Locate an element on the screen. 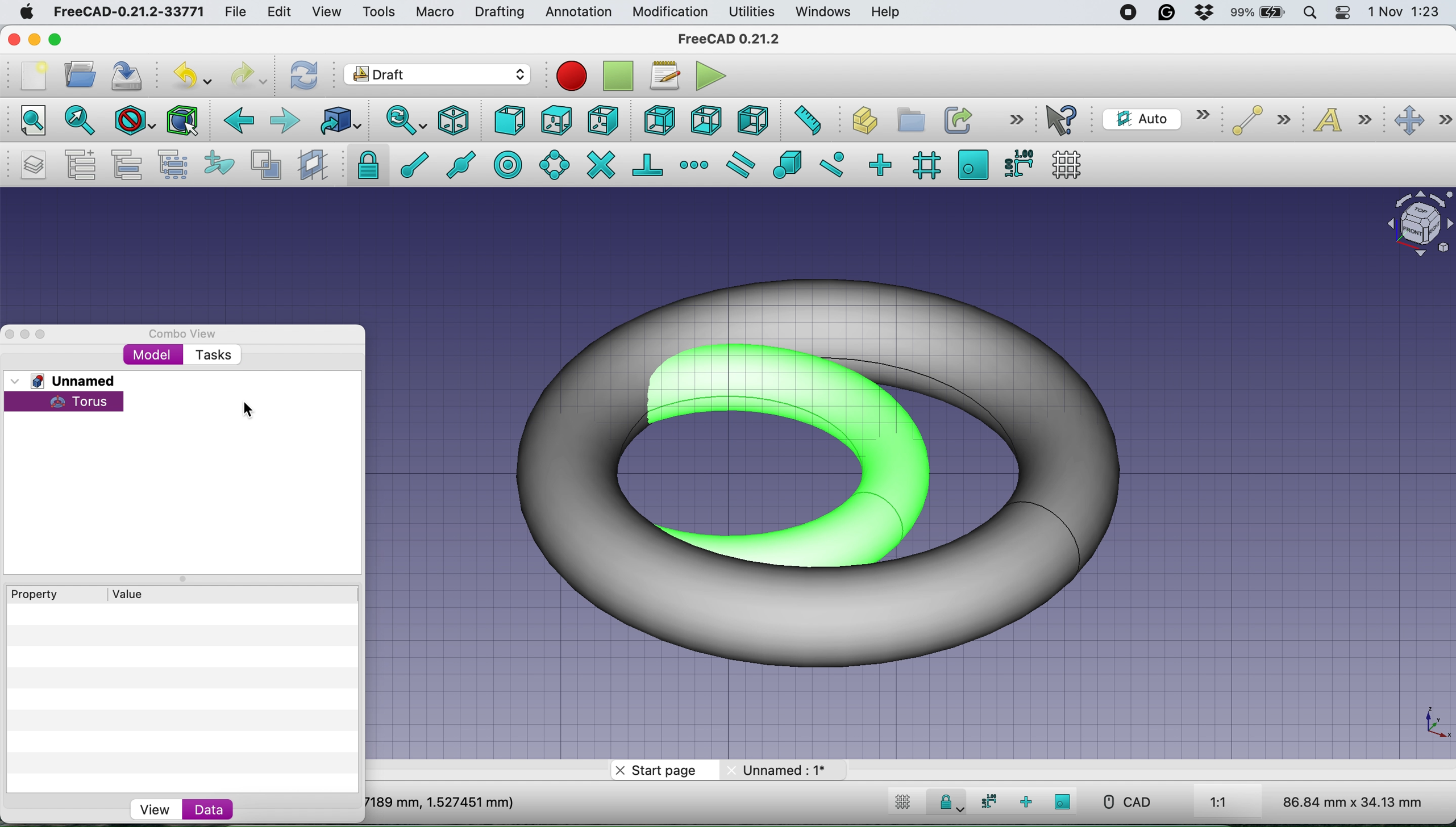  system logo is located at coordinates (24, 14).